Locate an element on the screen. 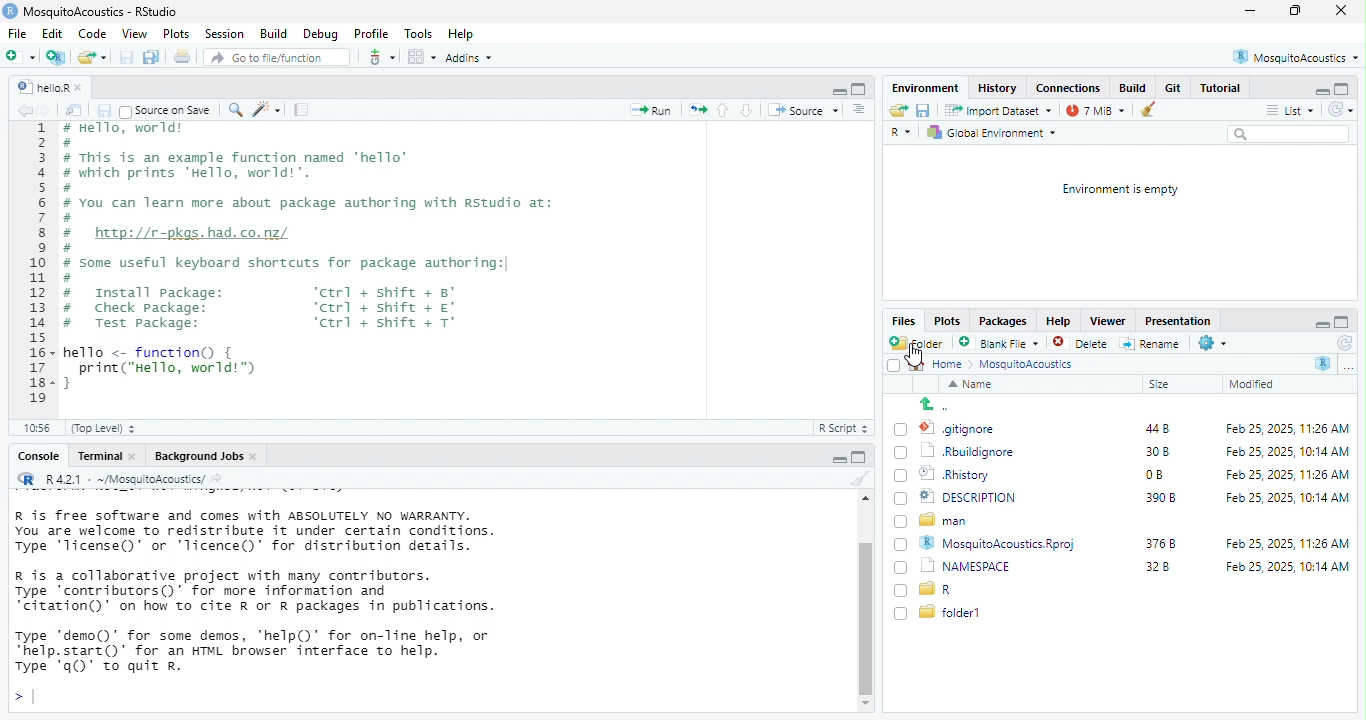 This screenshot has height=720, width=1366. Feb 25, 2025, 10:14 AM is located at coordinates (1286, 497).